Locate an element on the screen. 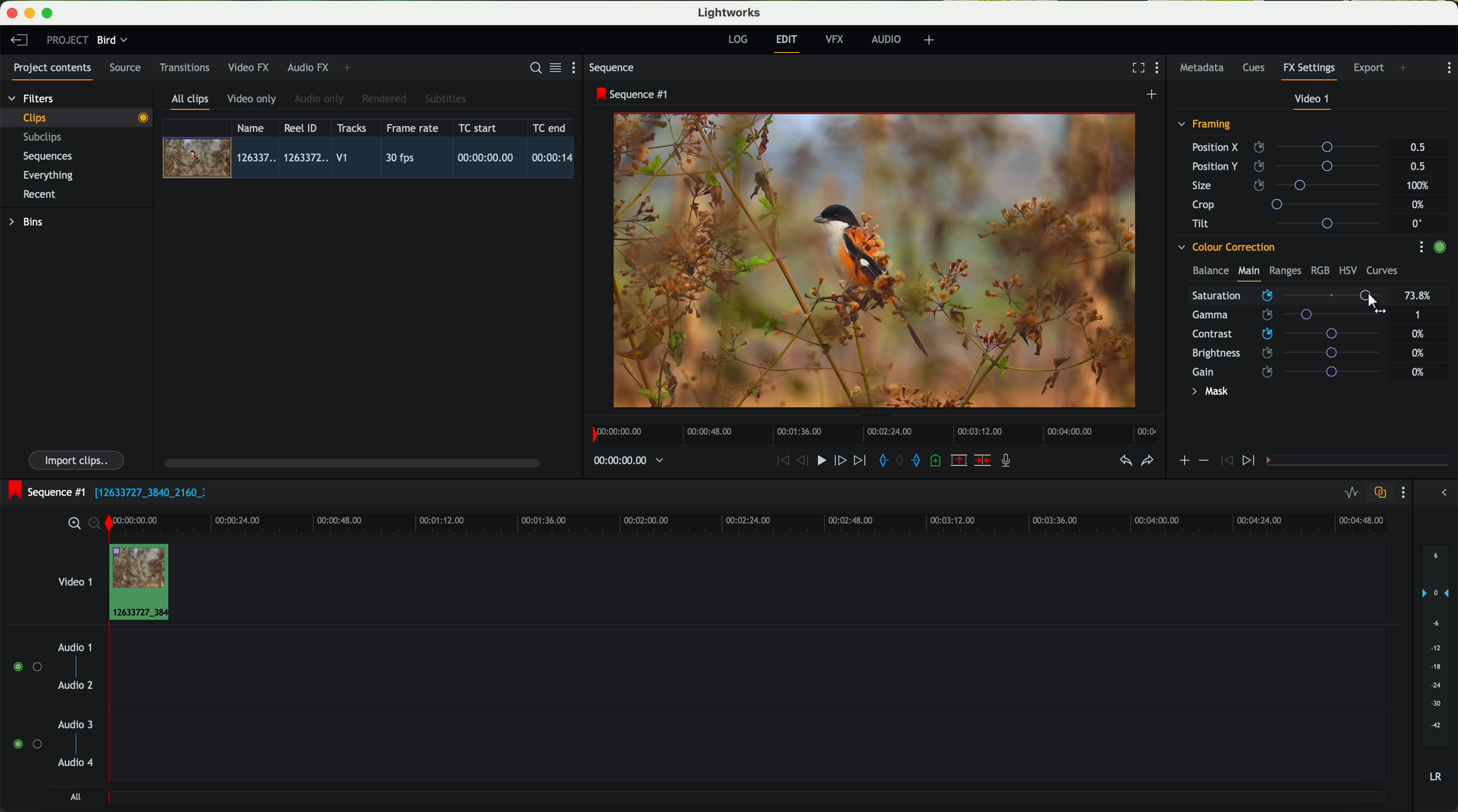  video FX is located at coordinates (251, 67).